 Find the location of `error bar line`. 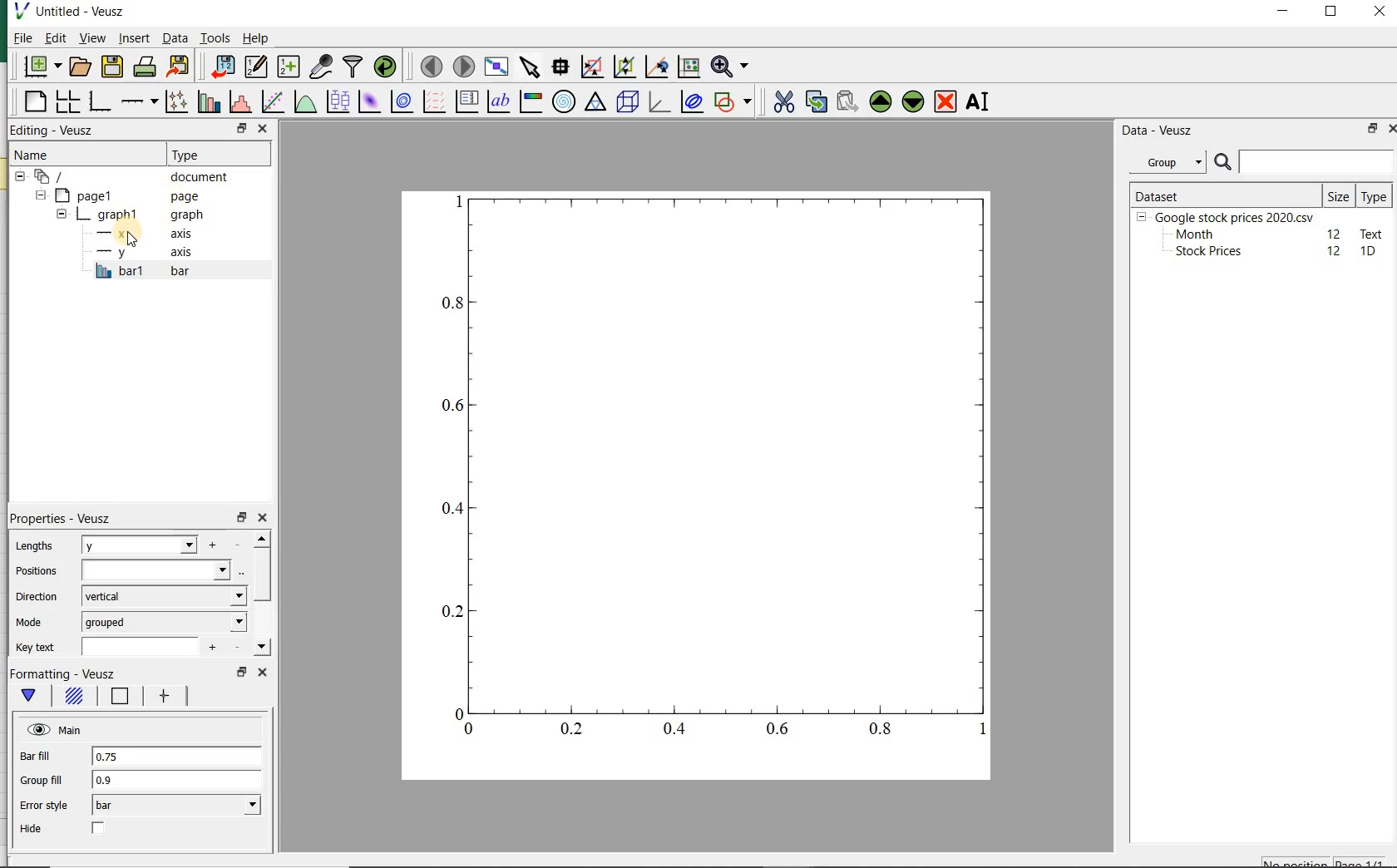

error bar line is located at coordinates (166, 696).